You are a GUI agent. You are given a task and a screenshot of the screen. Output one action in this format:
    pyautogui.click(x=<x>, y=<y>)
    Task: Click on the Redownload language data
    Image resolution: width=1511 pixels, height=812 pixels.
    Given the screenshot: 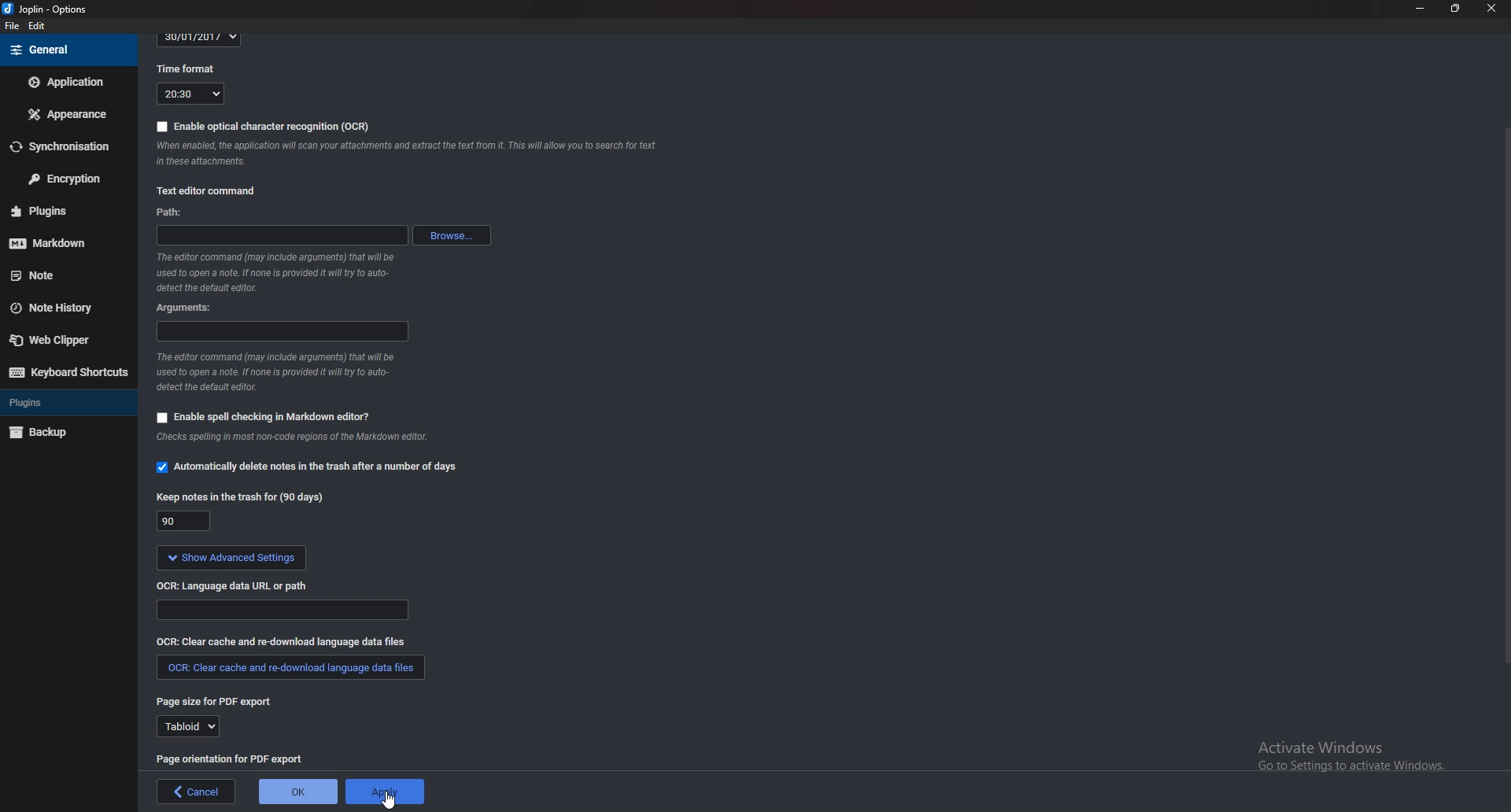 What is the action you would take?
    pyautogui.click(x=291, y=668)
    